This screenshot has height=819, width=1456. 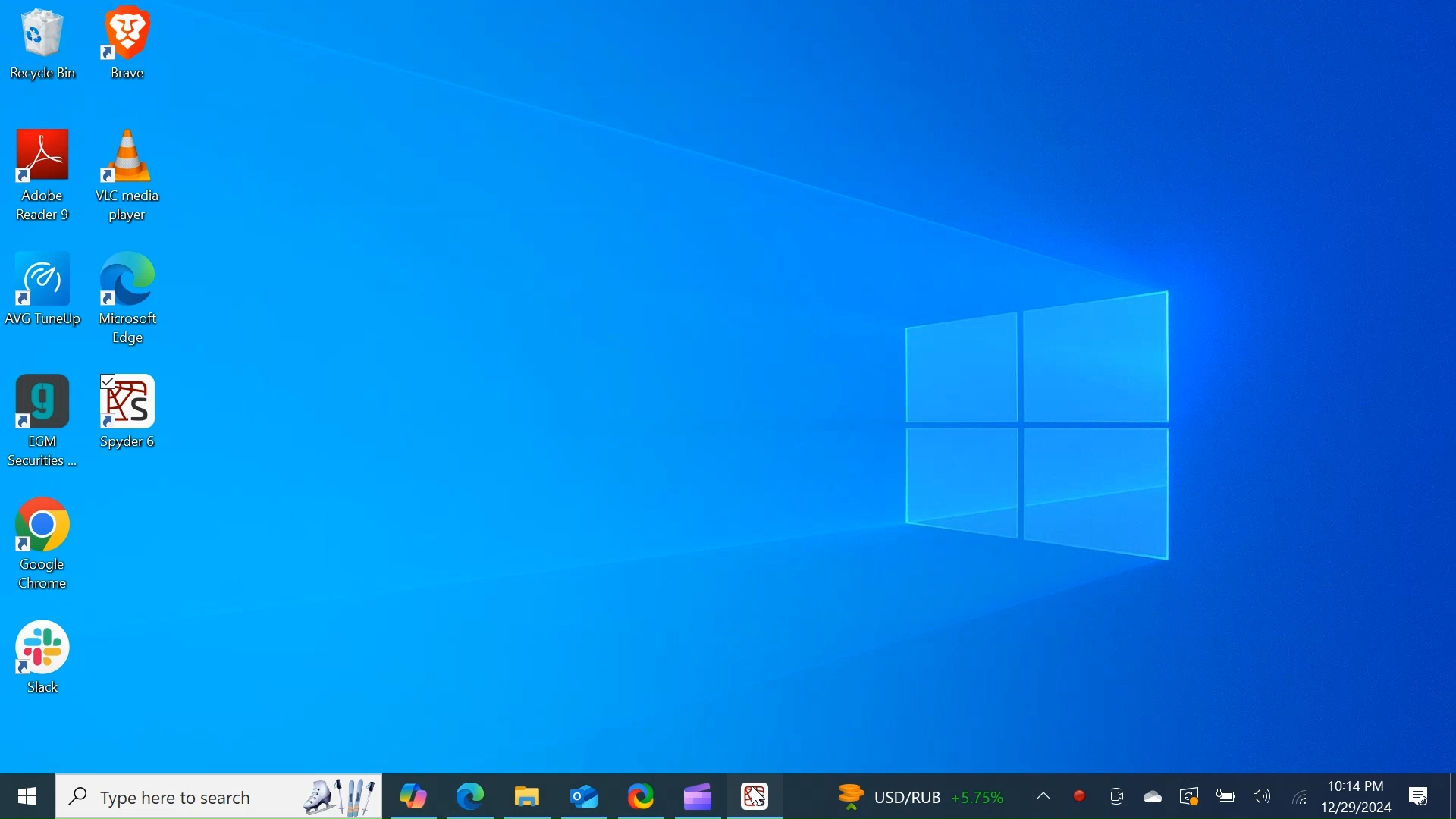 I want to click on USD/RUB +5.75%, so click(x=941, y=796).